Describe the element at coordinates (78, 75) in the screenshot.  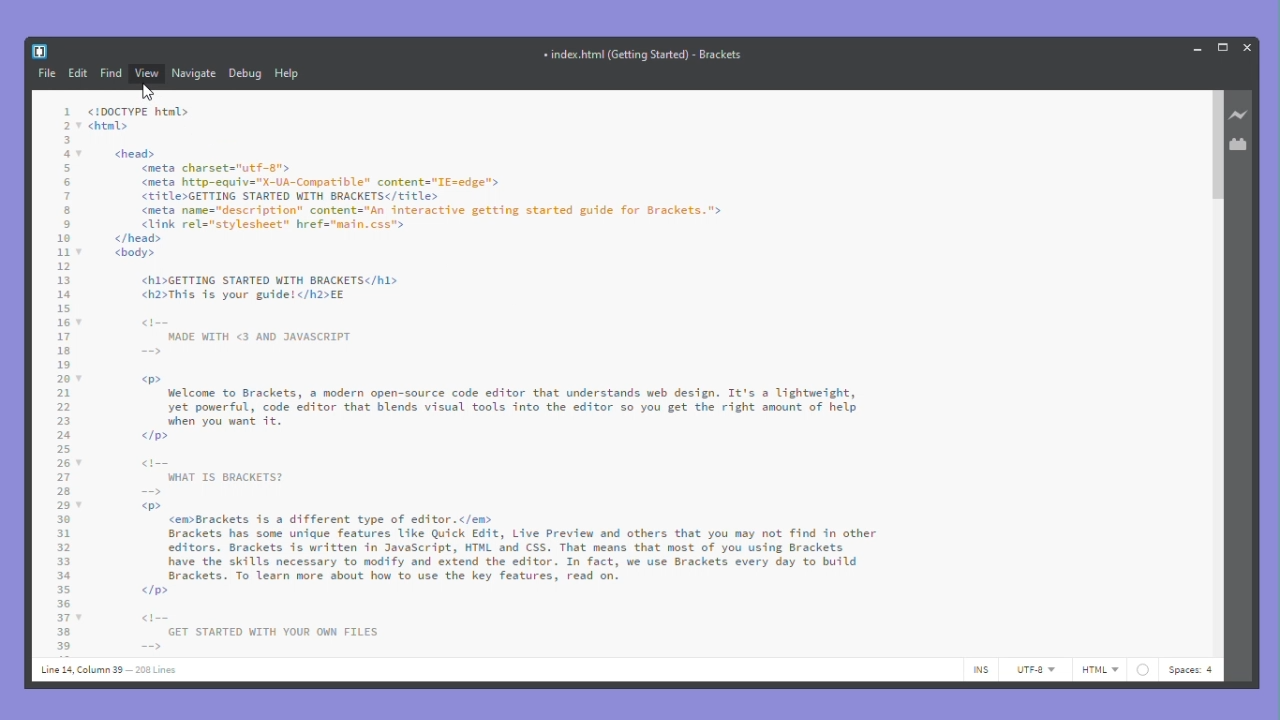
I see `edit` at that location.